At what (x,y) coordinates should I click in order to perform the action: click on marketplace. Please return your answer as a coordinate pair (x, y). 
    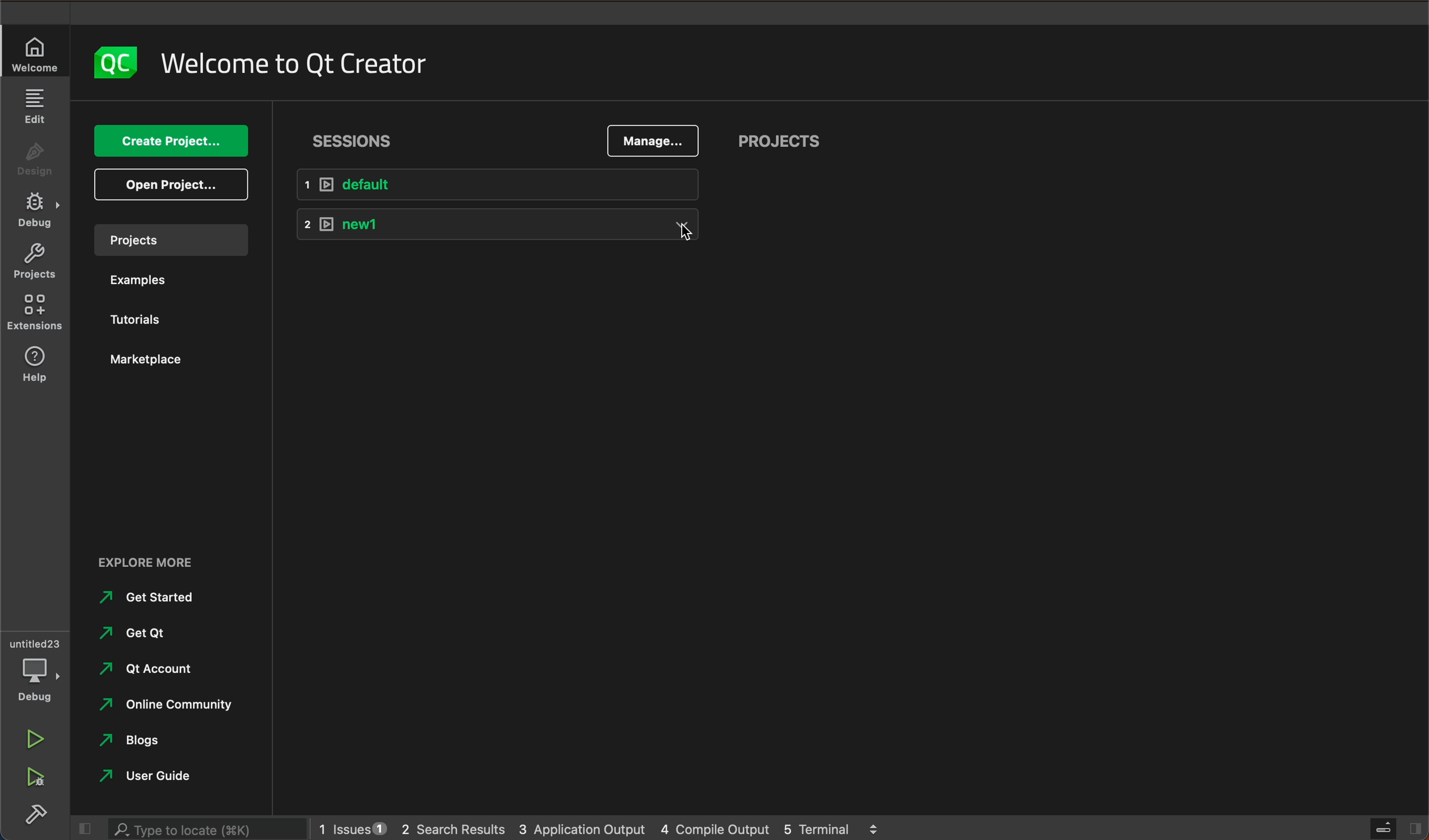
    Looking at the image, I should click on (152, 360).